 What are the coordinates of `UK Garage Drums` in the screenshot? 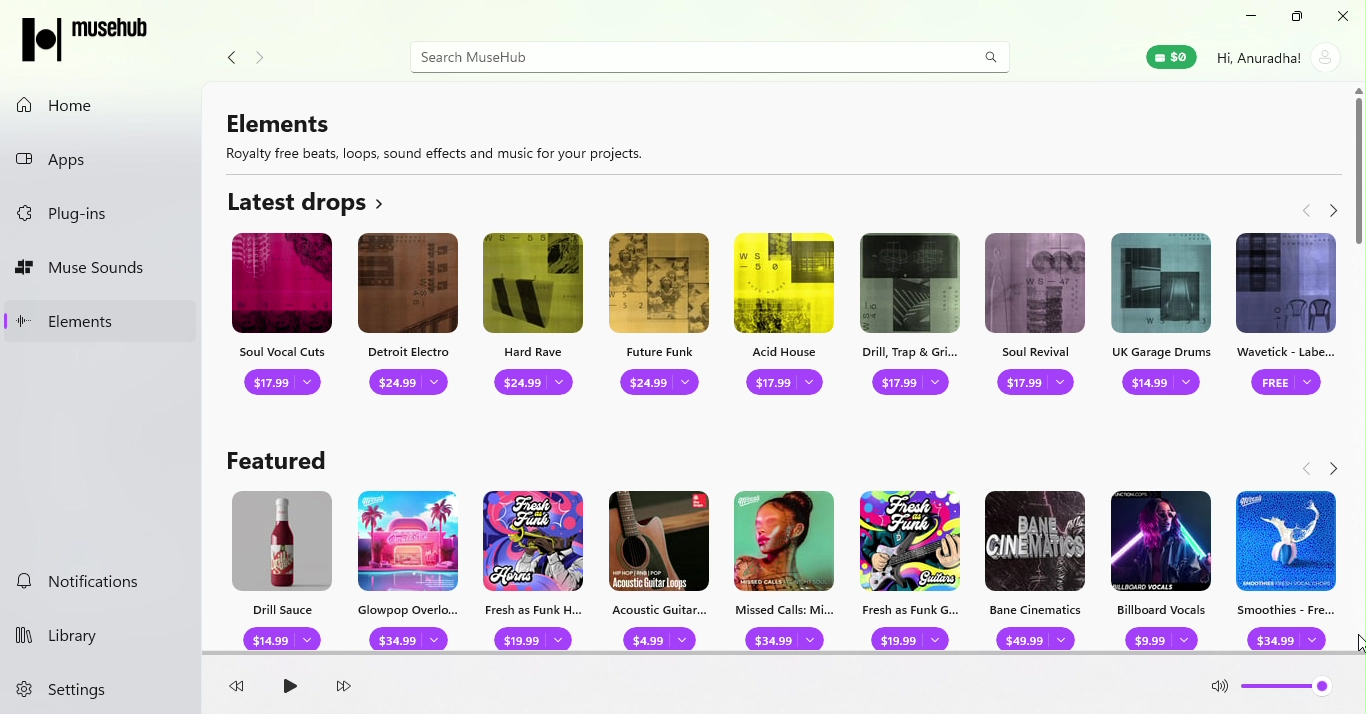 It's located at (1163, 319).